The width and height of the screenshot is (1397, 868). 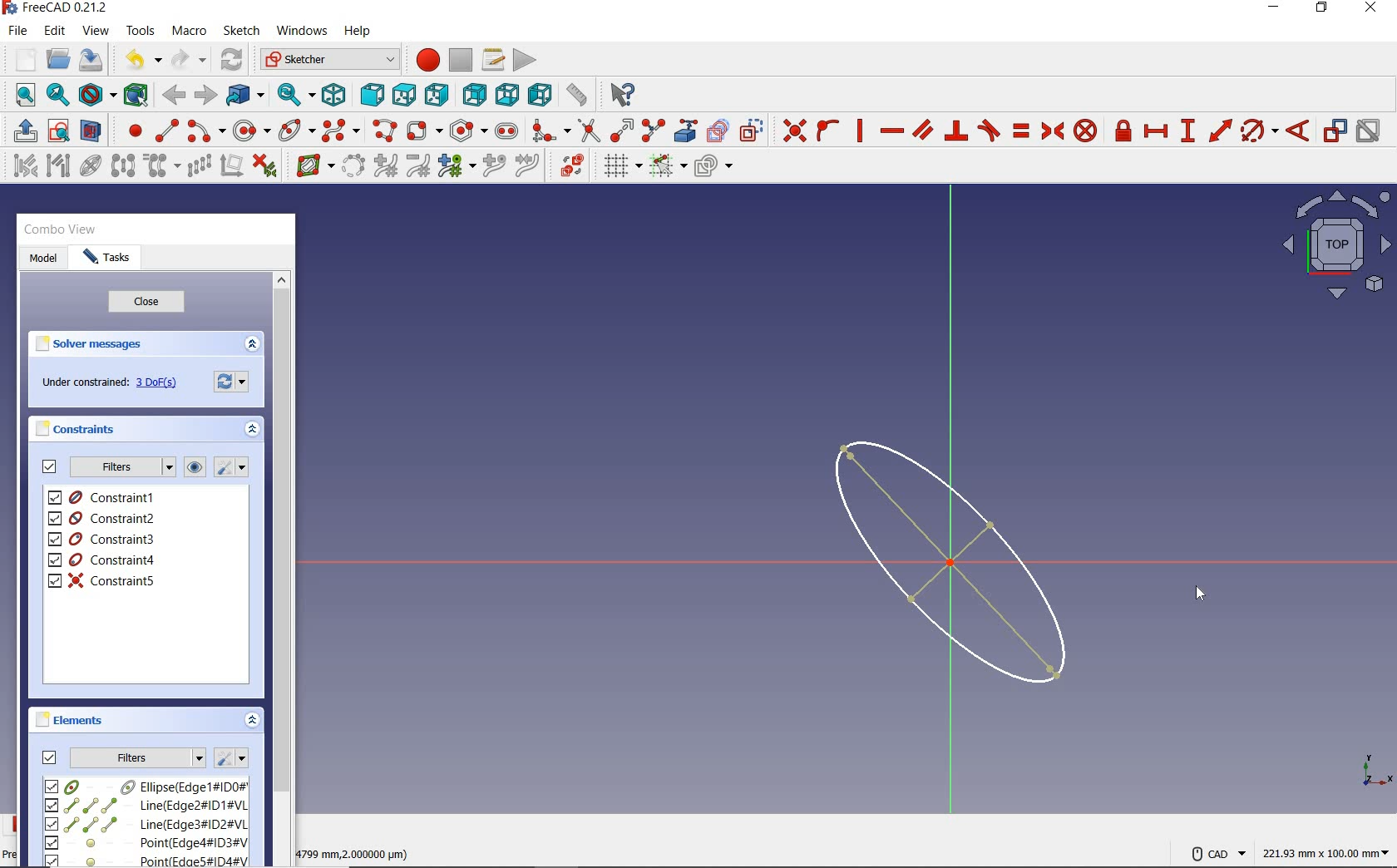 What do you see at coordinates (622, 129) in the screenshot?
I see `extend edge` at bounding box center [622, 129].